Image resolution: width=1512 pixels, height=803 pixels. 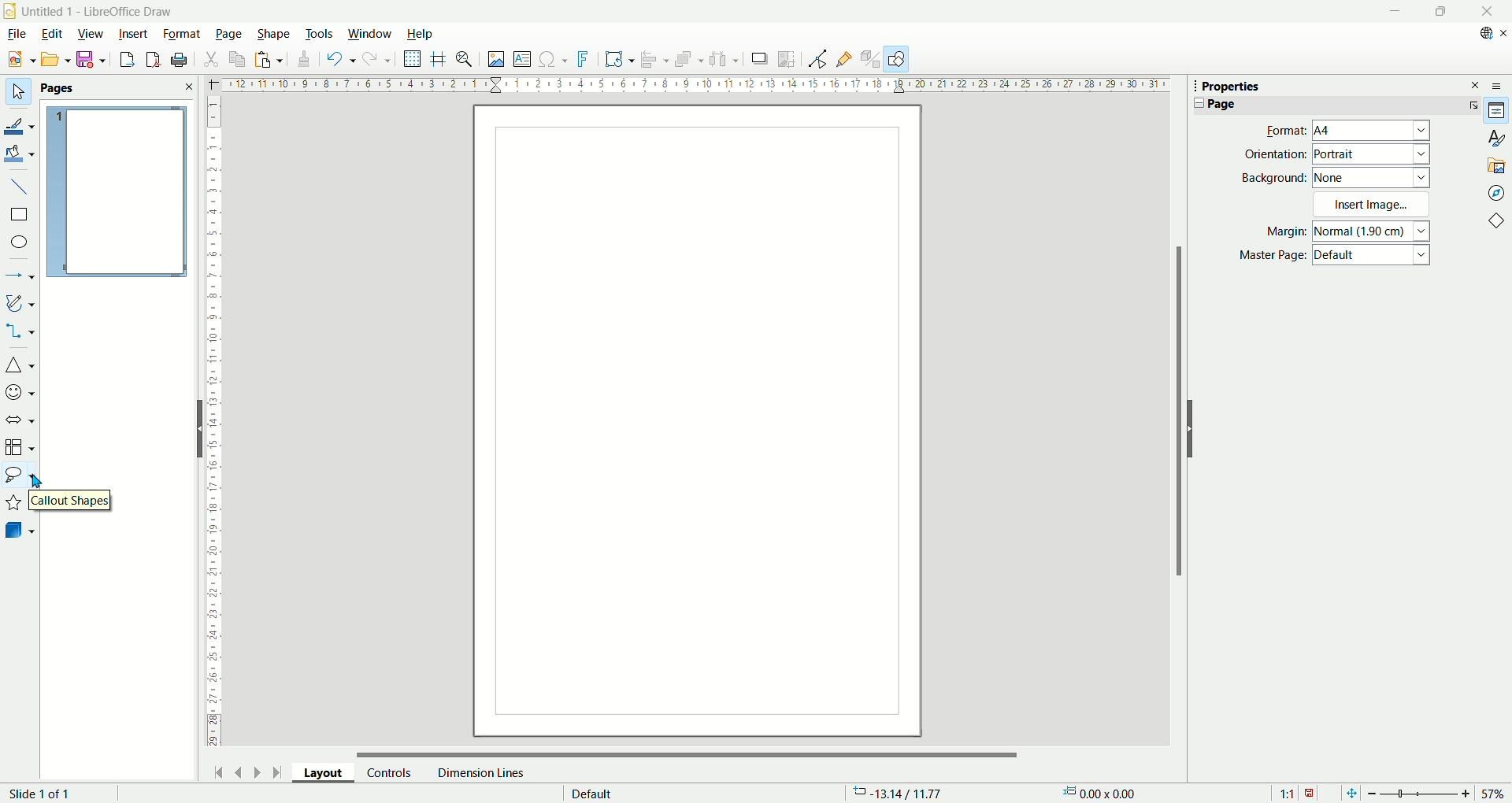 What do you see at coordinates (1497, 111) in the screenshot?
I see `Properties` at bounding box center [1497, 111].